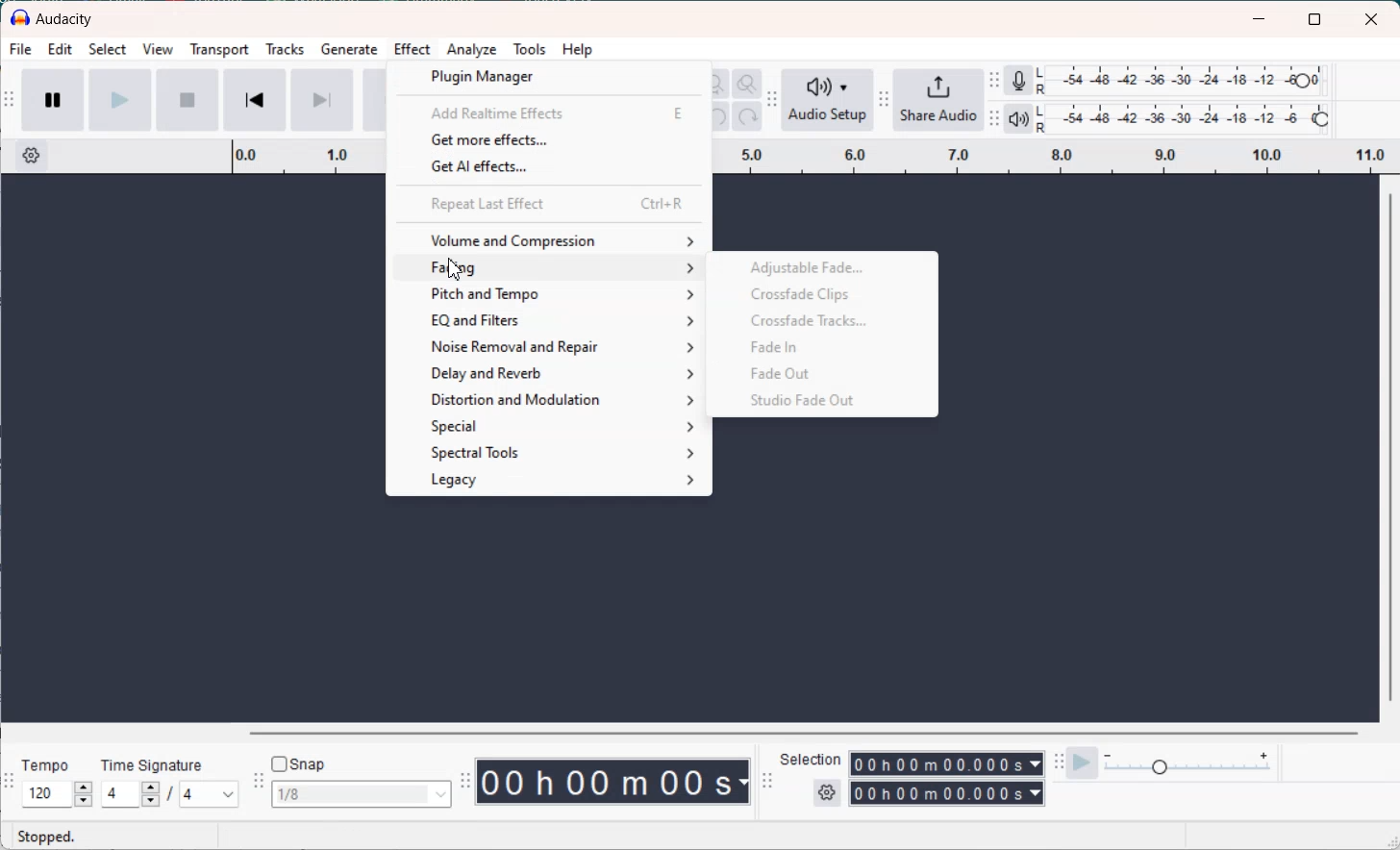 The height and width of the screenshot is (850, 1400). I want to click on Audacity audio setup toolbar, so click(771, 100).